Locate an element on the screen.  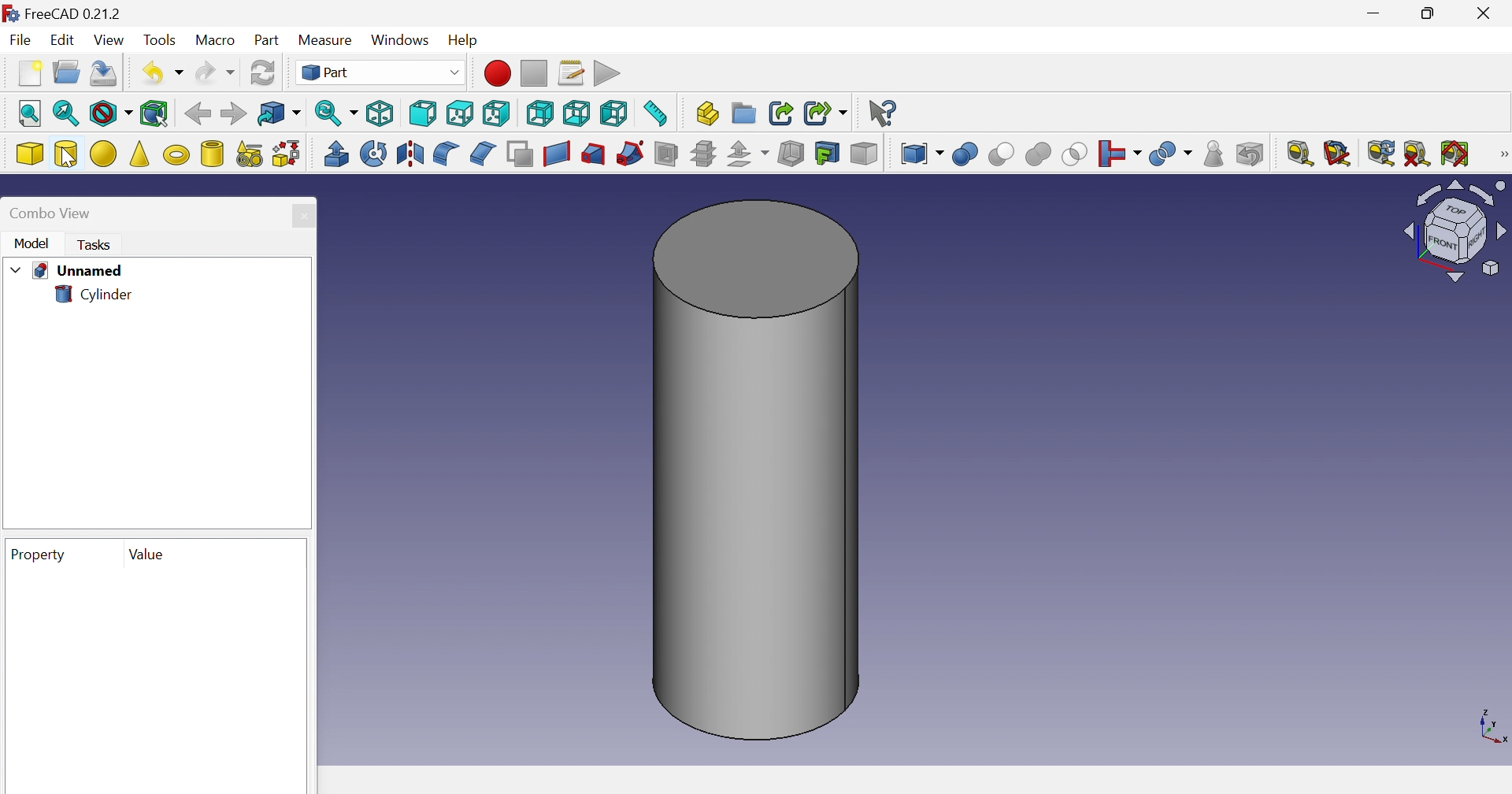
Windows is located at coordinates (402, 41).